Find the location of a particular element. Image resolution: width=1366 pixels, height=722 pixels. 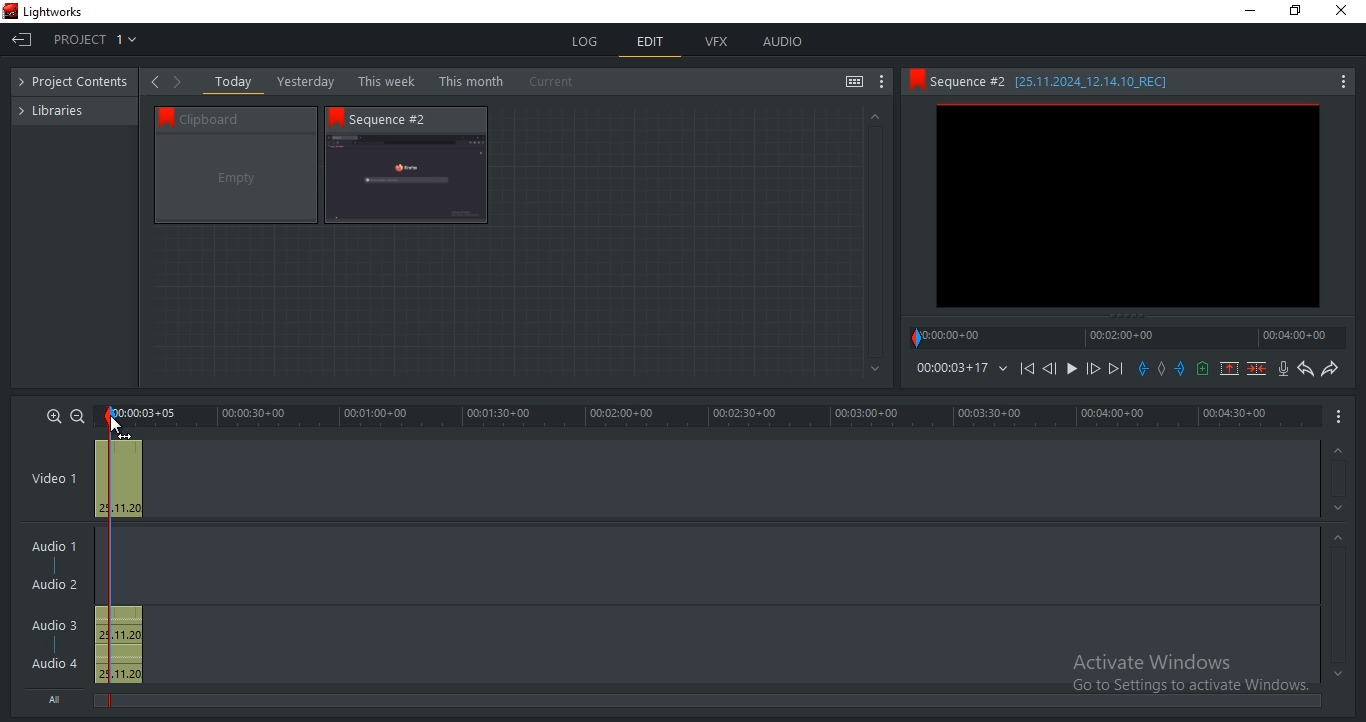

Clipboard is located at coordinates (245, 118).